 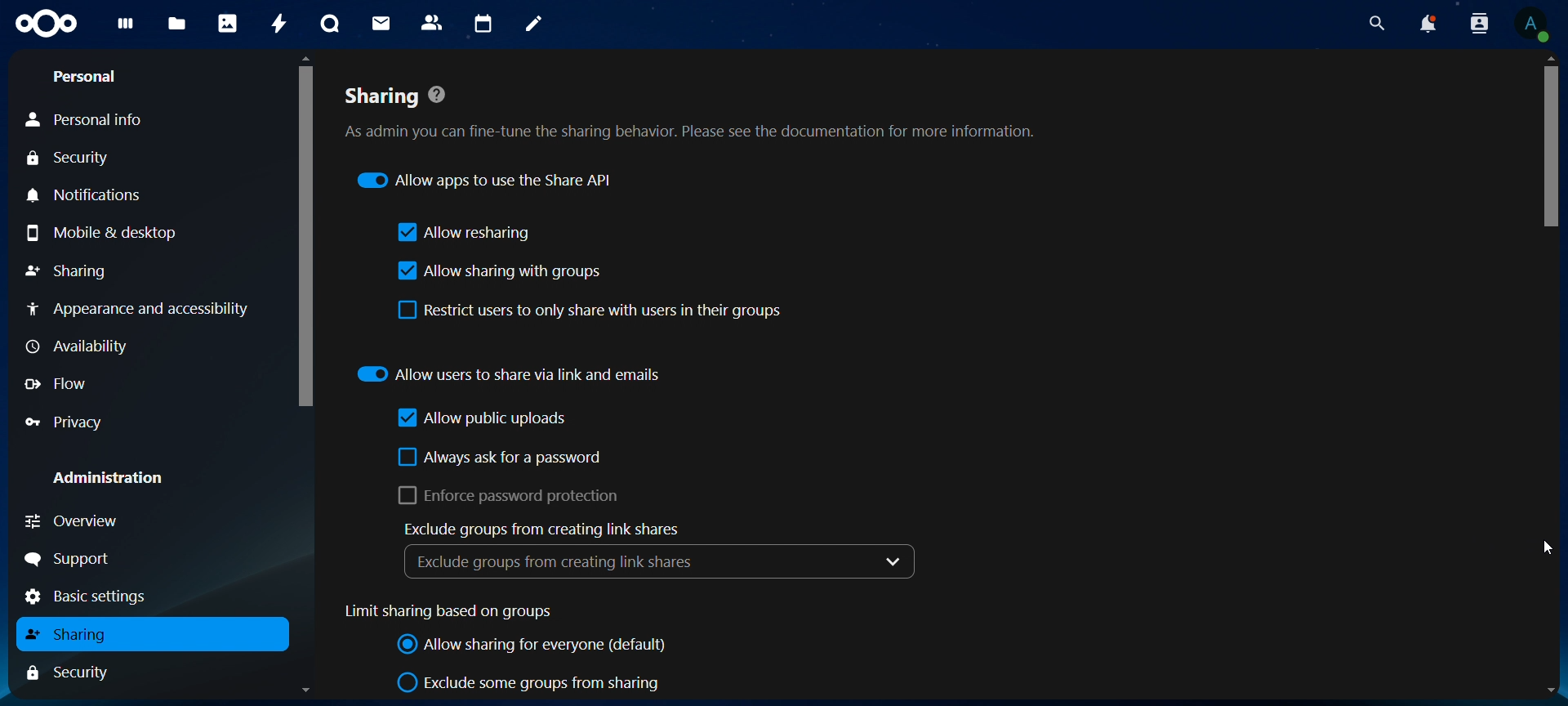 I want to click on appearance and accessibility, so click(x=143, y=308).